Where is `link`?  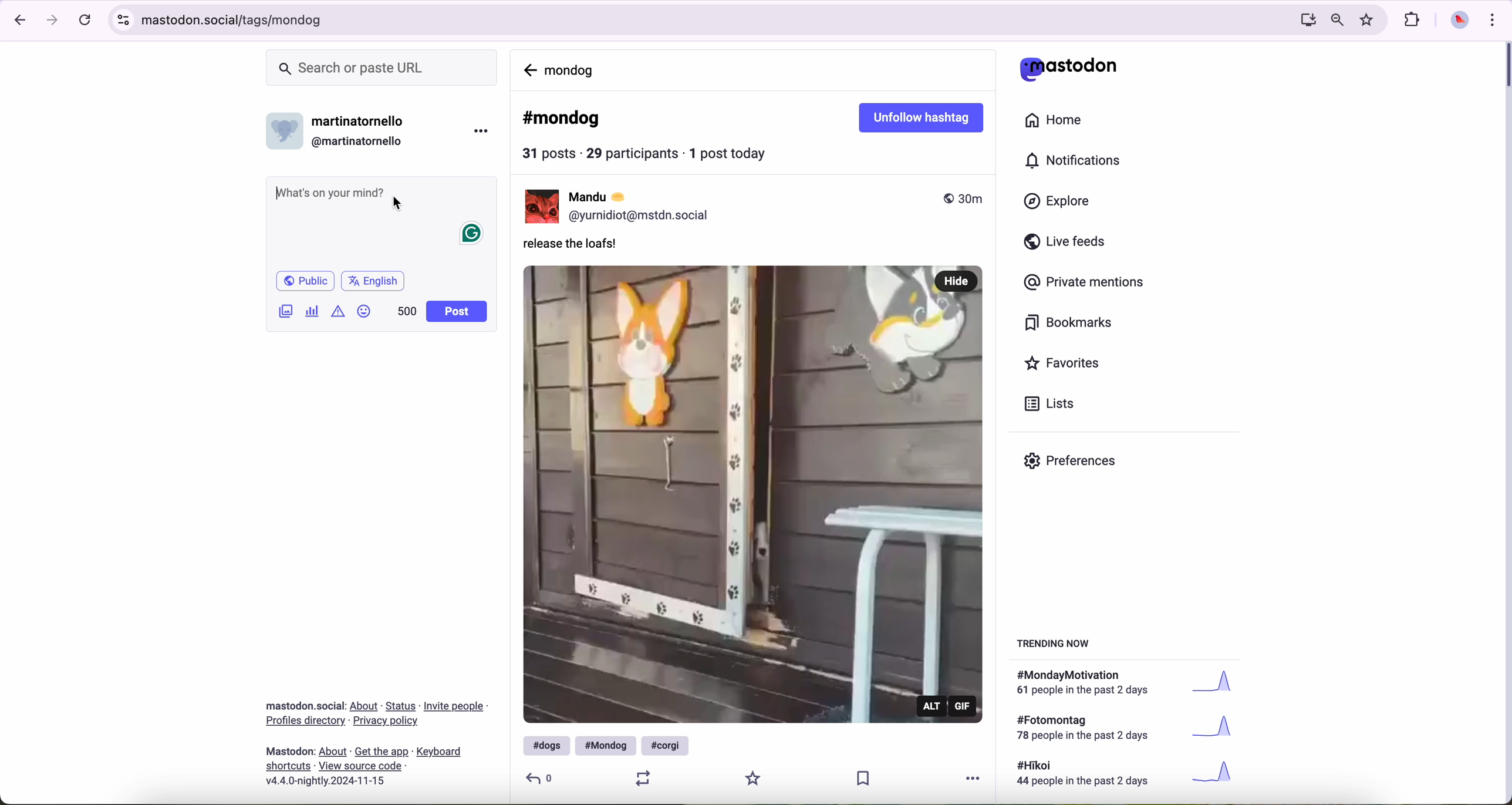 link is located at coordinates (387, 720).